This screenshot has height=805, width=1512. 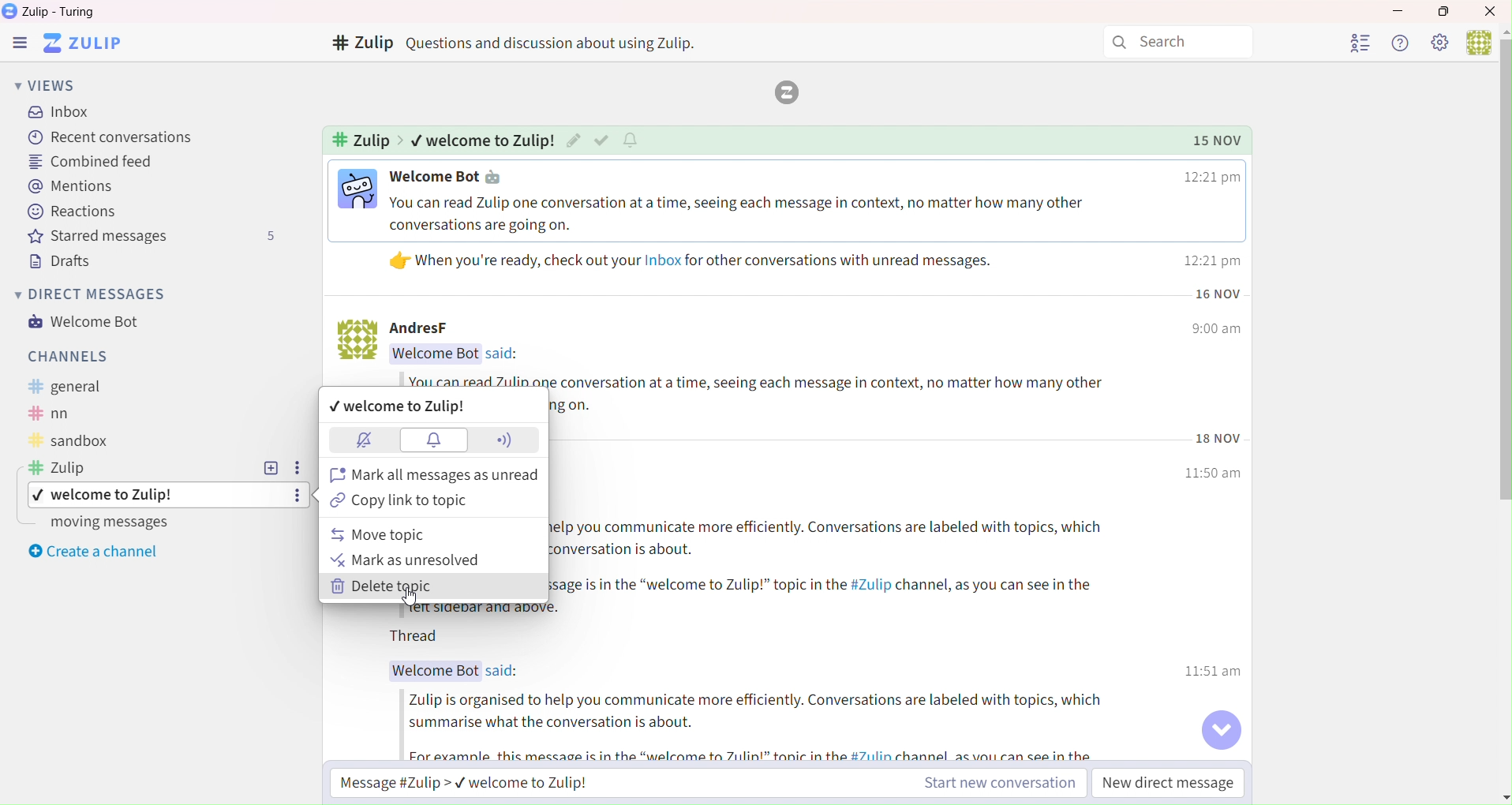 I want to click on Time, so click(x=1218, y=140).